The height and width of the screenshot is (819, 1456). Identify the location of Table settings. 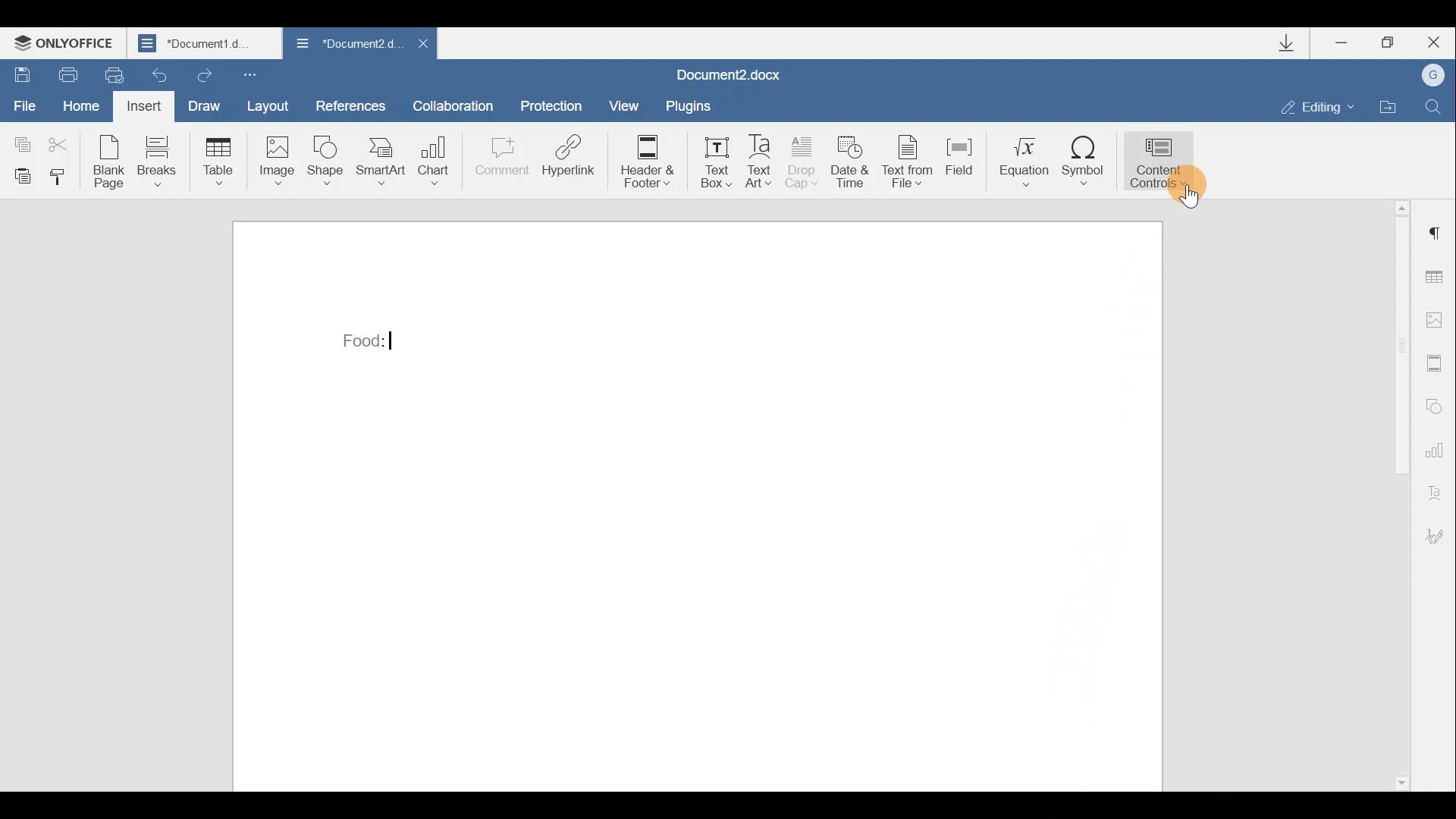
(1439, 279).